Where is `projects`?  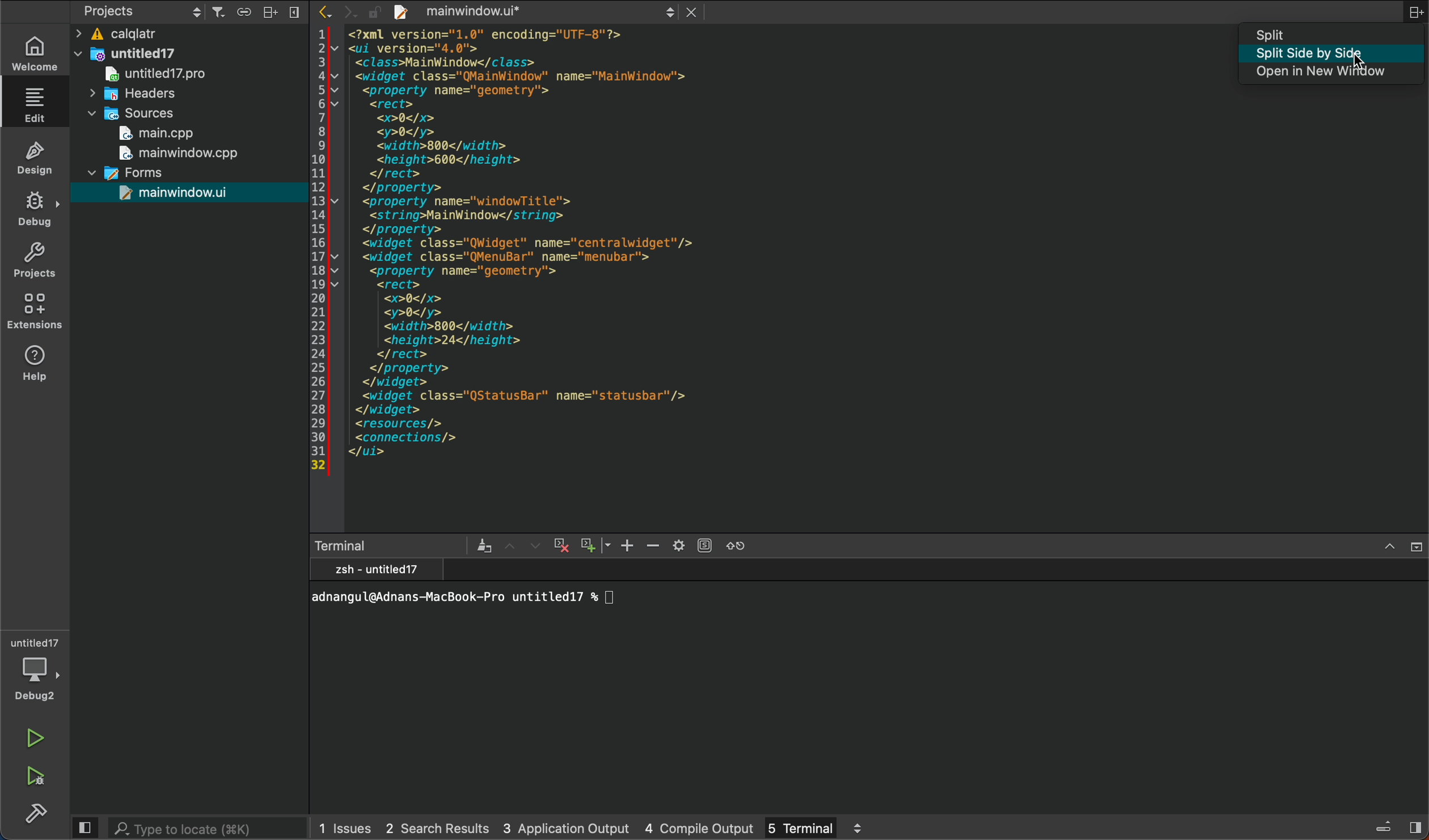 projects is located at coordinates (36, 259).